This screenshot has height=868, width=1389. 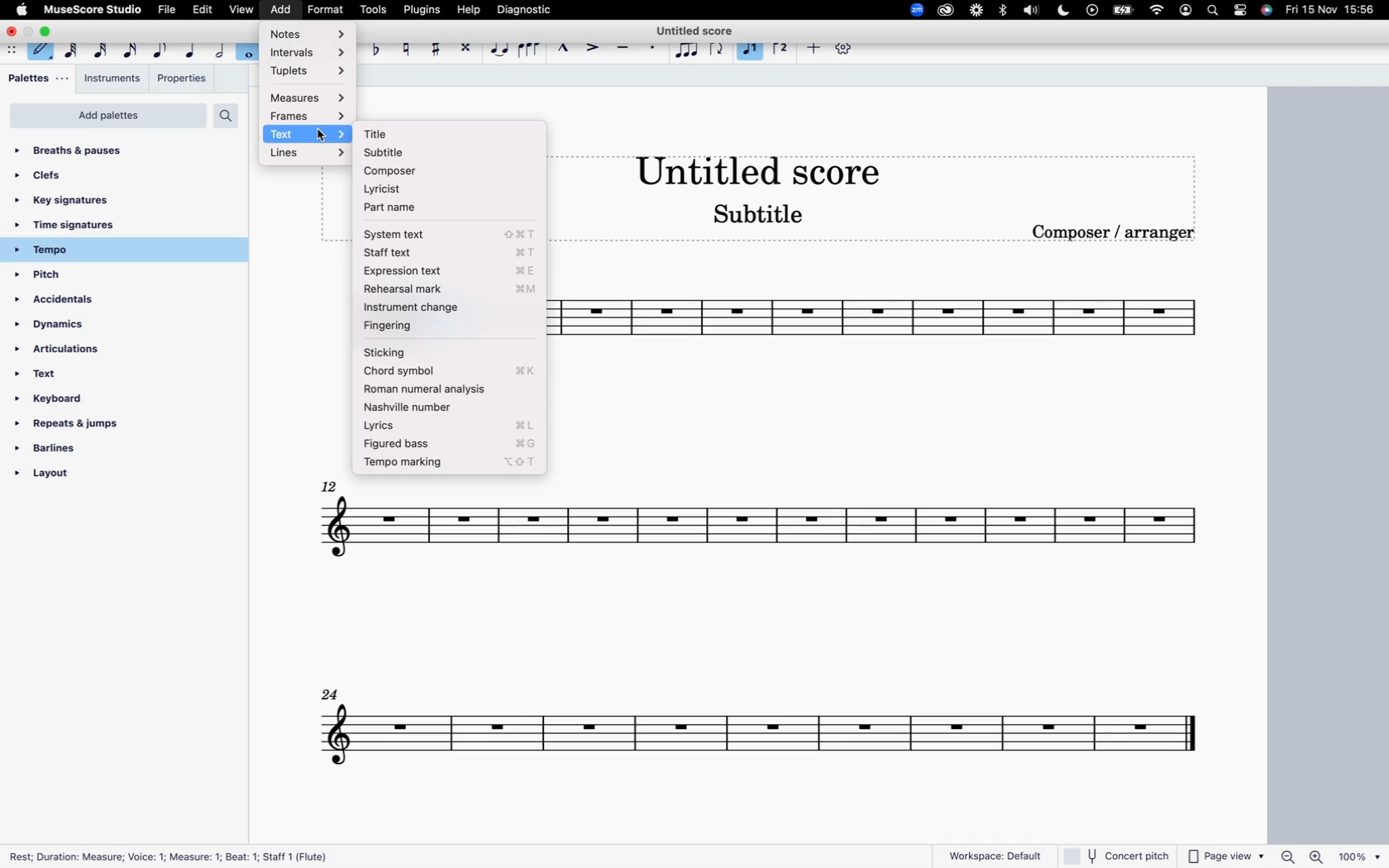 What do you see at coordinates (80, 427) in the screenshot?
I see `repeats & jumps` at bounding box center [80, 427].